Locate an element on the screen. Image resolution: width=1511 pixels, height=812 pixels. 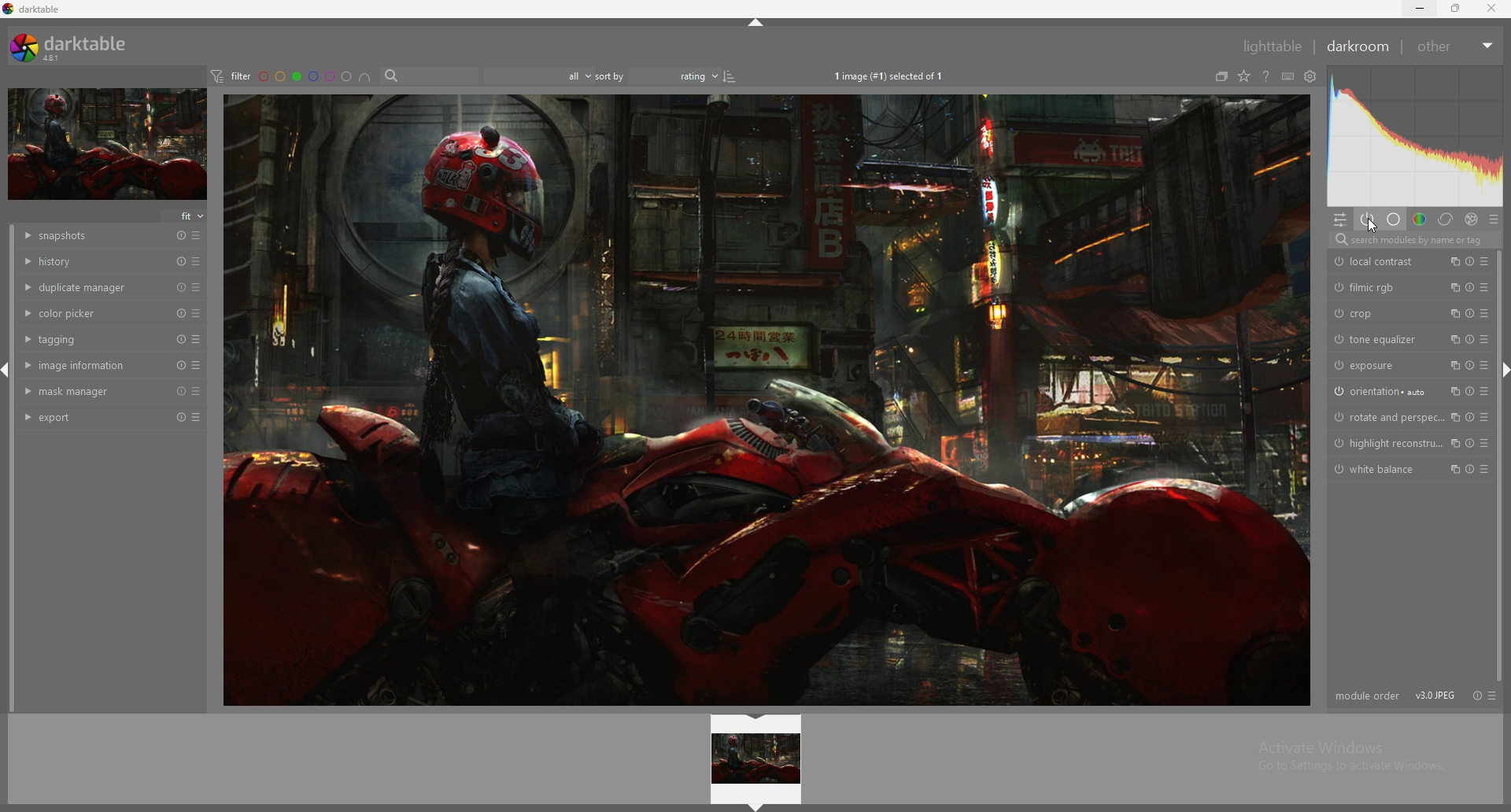
filter is located at coordinates (230, 76).